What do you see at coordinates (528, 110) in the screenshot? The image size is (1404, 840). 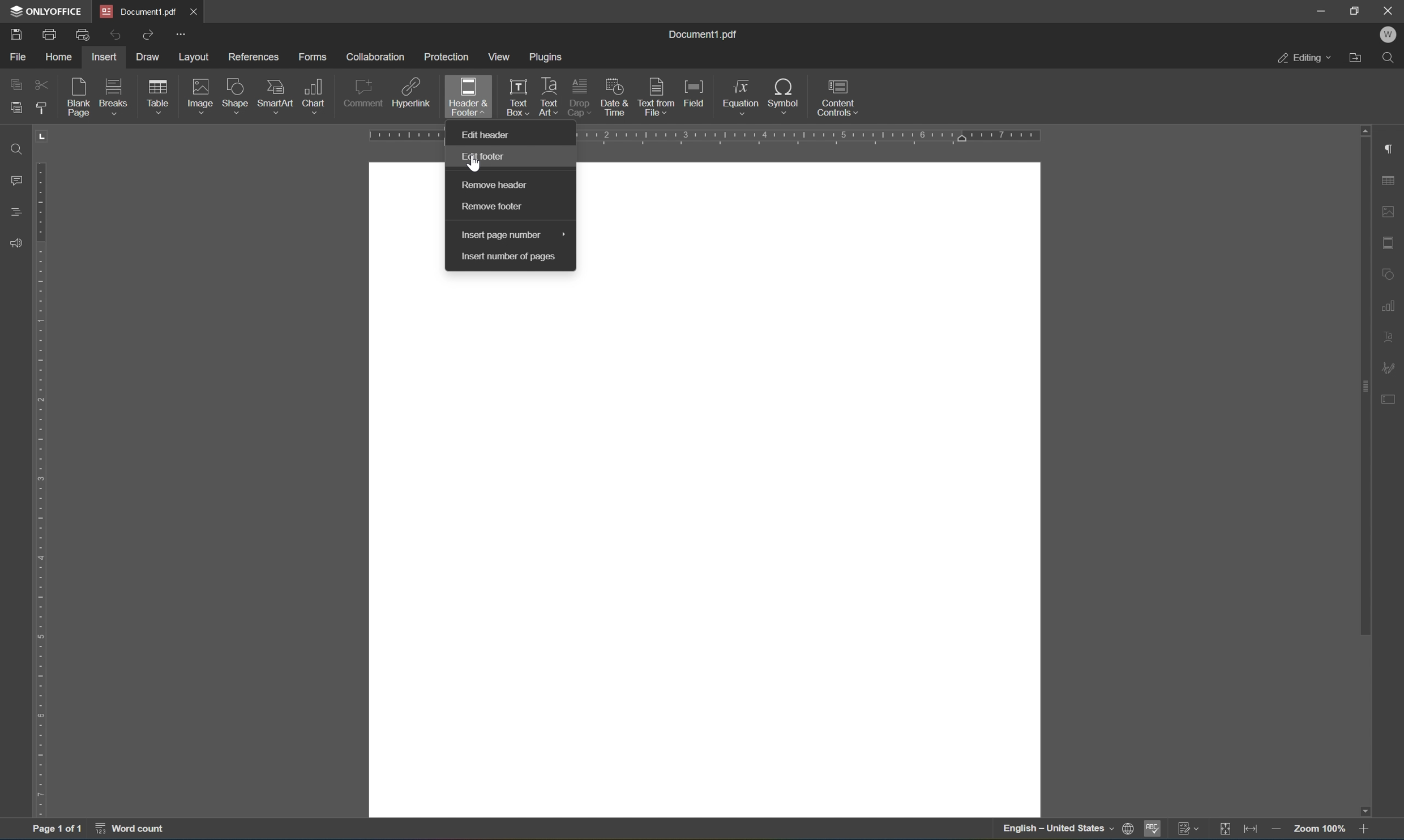 I see `edit header or footer` at bounding box center [528, 110].